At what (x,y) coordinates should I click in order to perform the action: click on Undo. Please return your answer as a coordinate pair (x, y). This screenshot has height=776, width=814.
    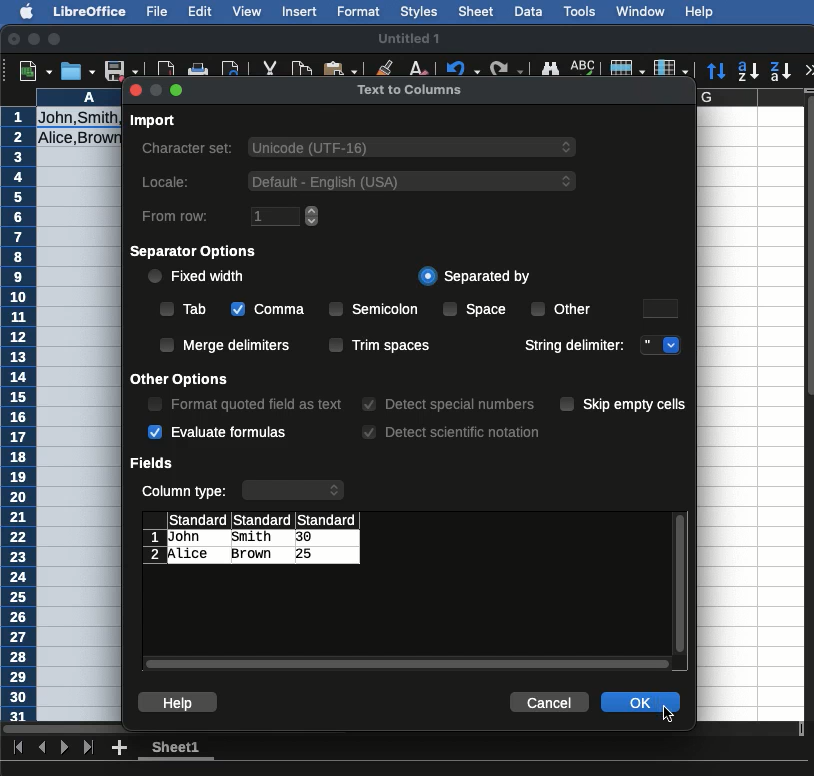
    Looking at the image, I should click on (465, 68).